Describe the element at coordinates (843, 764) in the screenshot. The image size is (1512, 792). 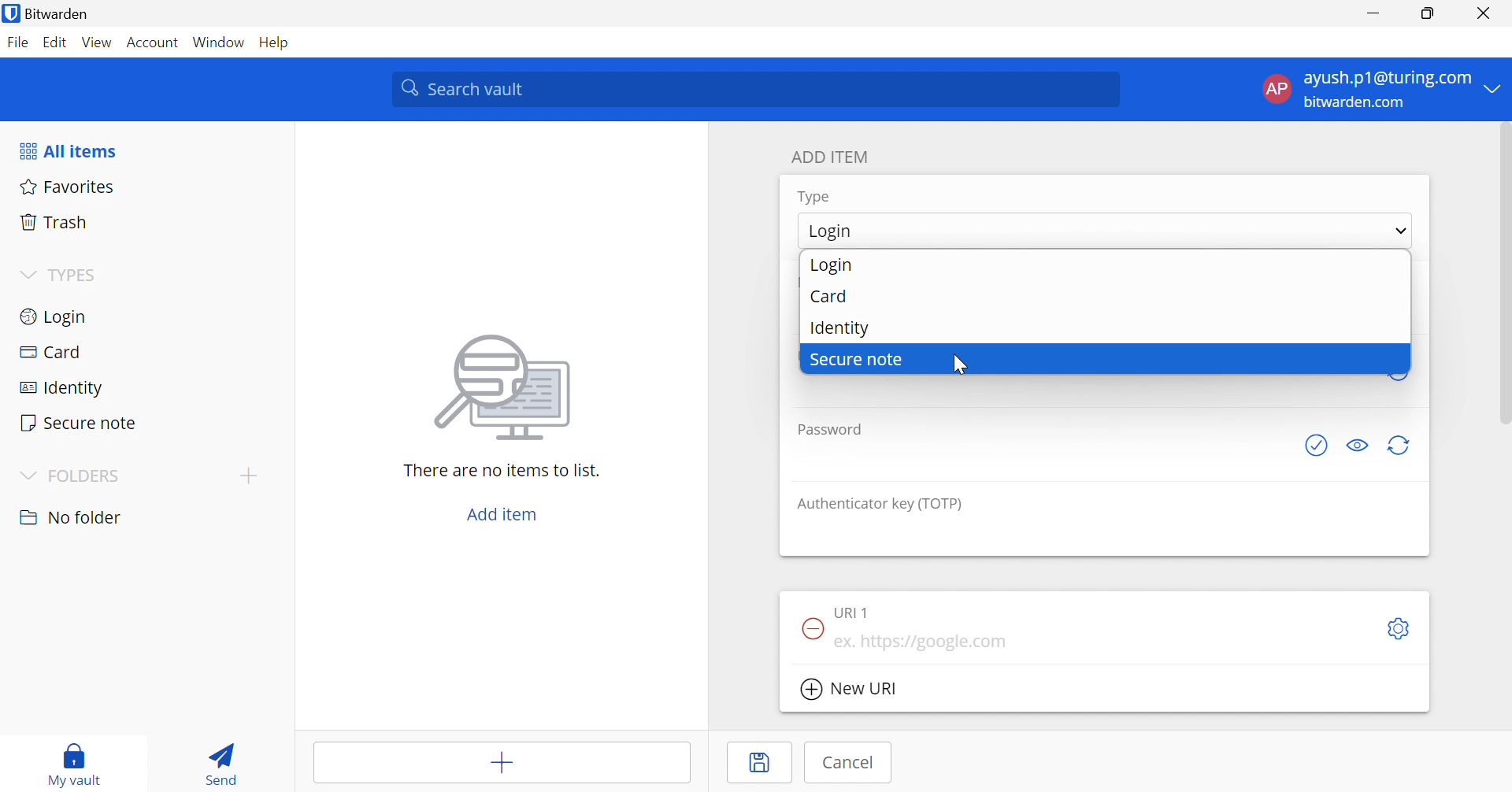
I see `Cancel` at that location.